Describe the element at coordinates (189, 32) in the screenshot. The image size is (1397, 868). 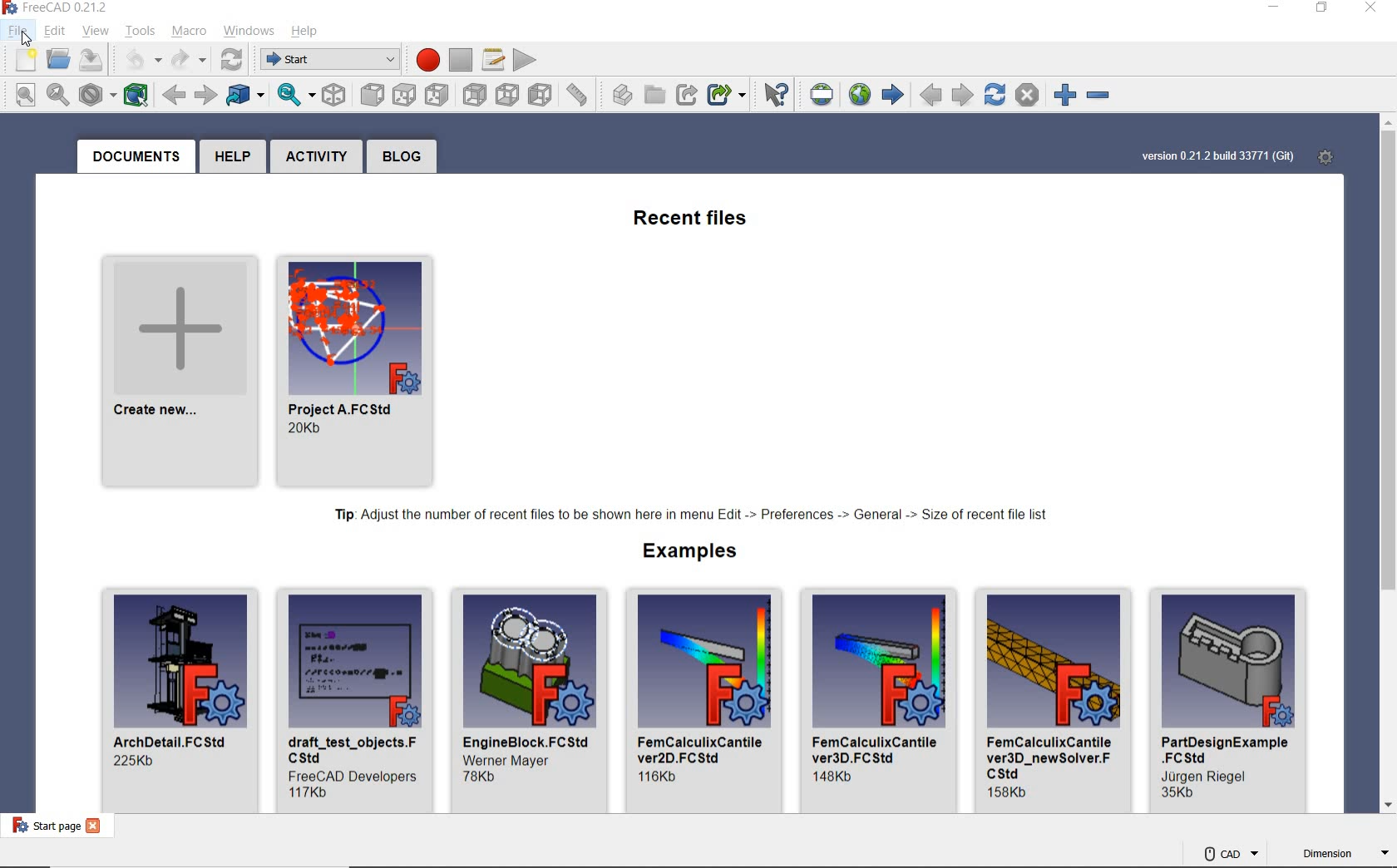
I see `MACRO` at that location.